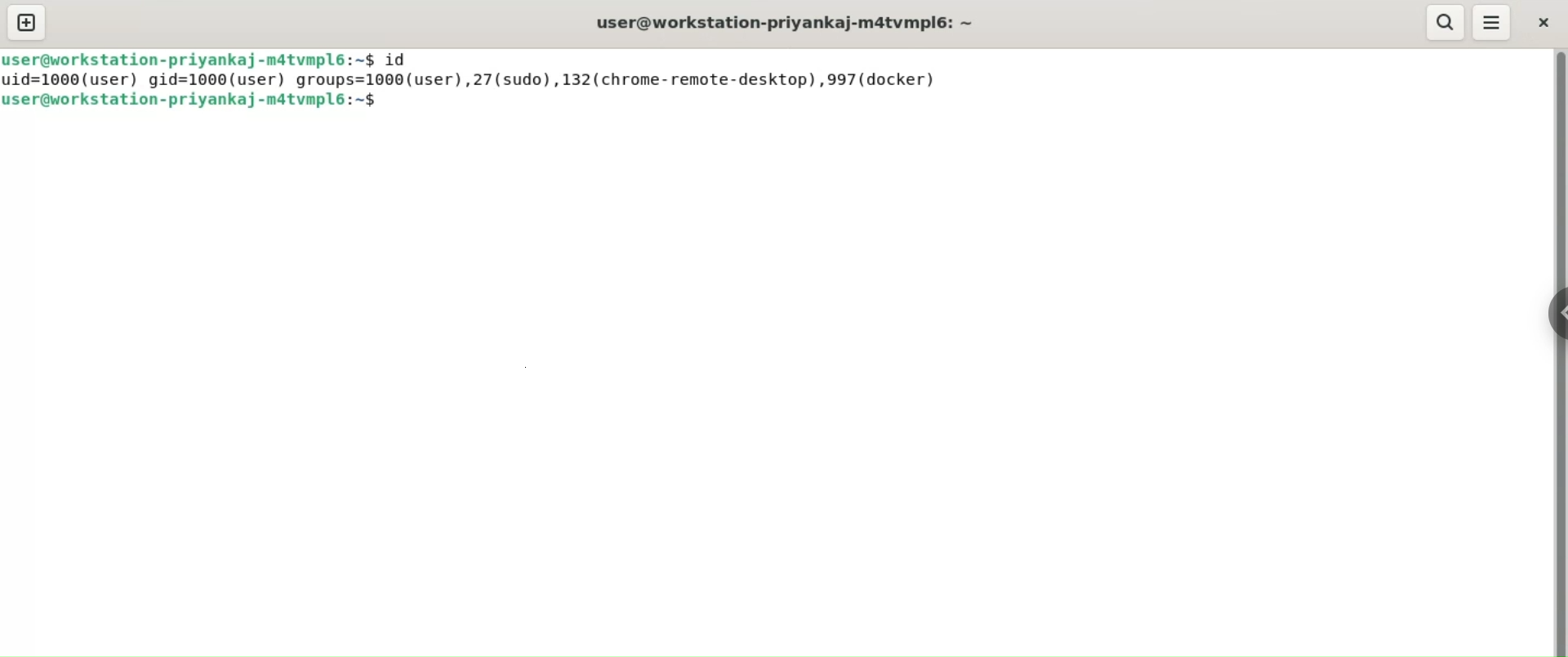  Describe the element at coordinates (1442, 23) in the screenshot. I see `search` at that location.